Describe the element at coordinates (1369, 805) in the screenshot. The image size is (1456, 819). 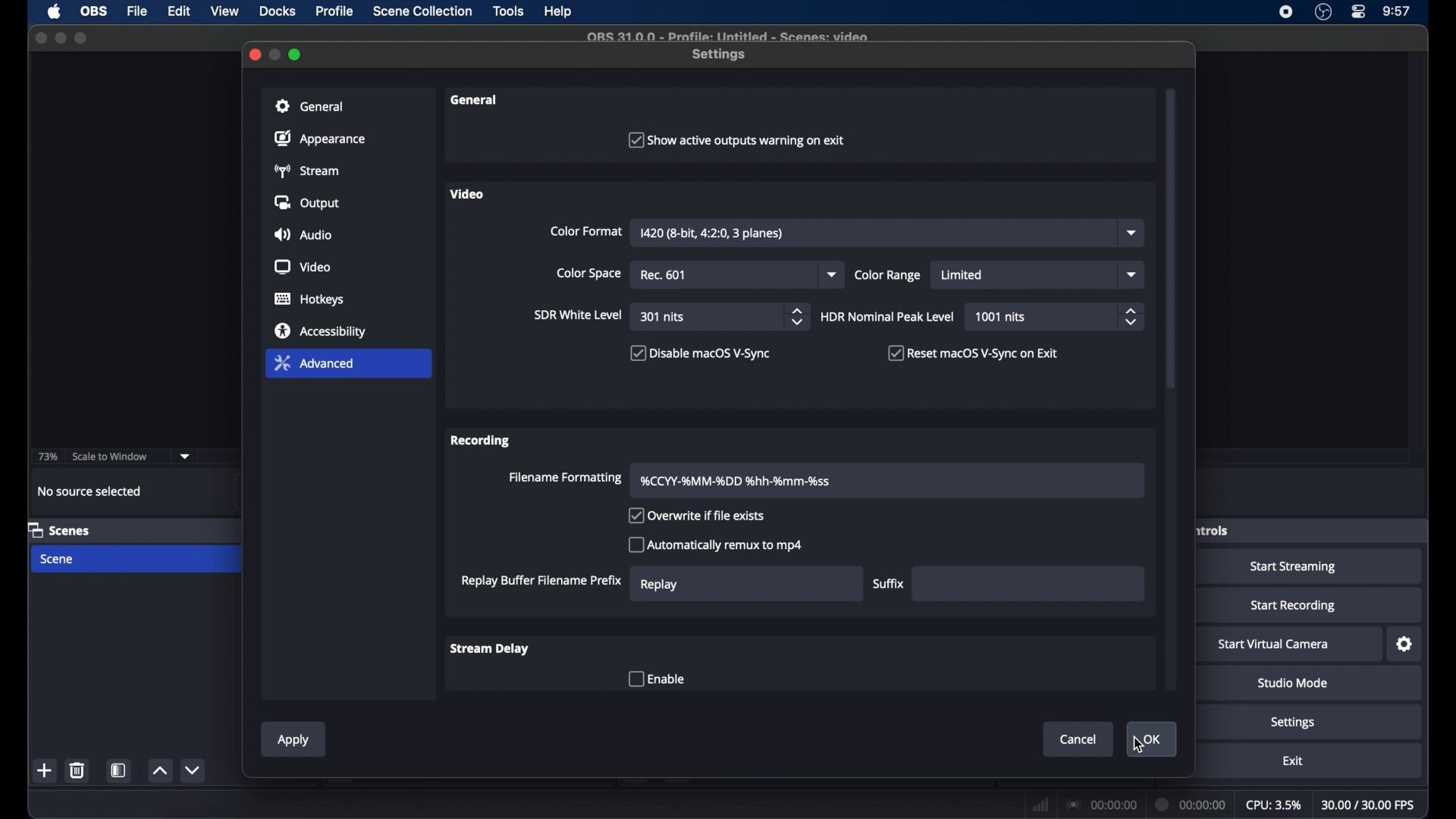
I see `fps` at that location.